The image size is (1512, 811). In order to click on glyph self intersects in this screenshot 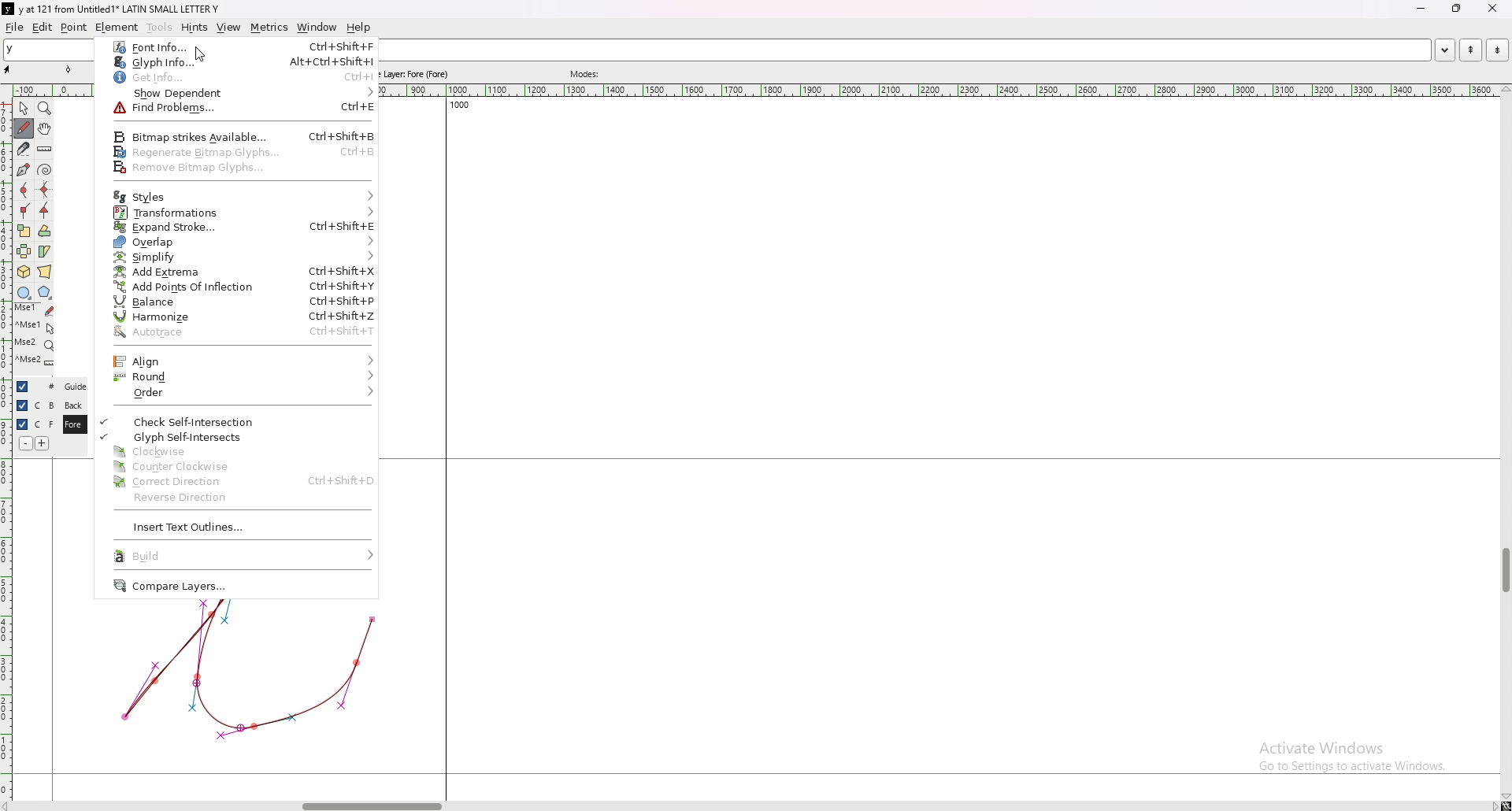, I will do `click(238, 439)`.